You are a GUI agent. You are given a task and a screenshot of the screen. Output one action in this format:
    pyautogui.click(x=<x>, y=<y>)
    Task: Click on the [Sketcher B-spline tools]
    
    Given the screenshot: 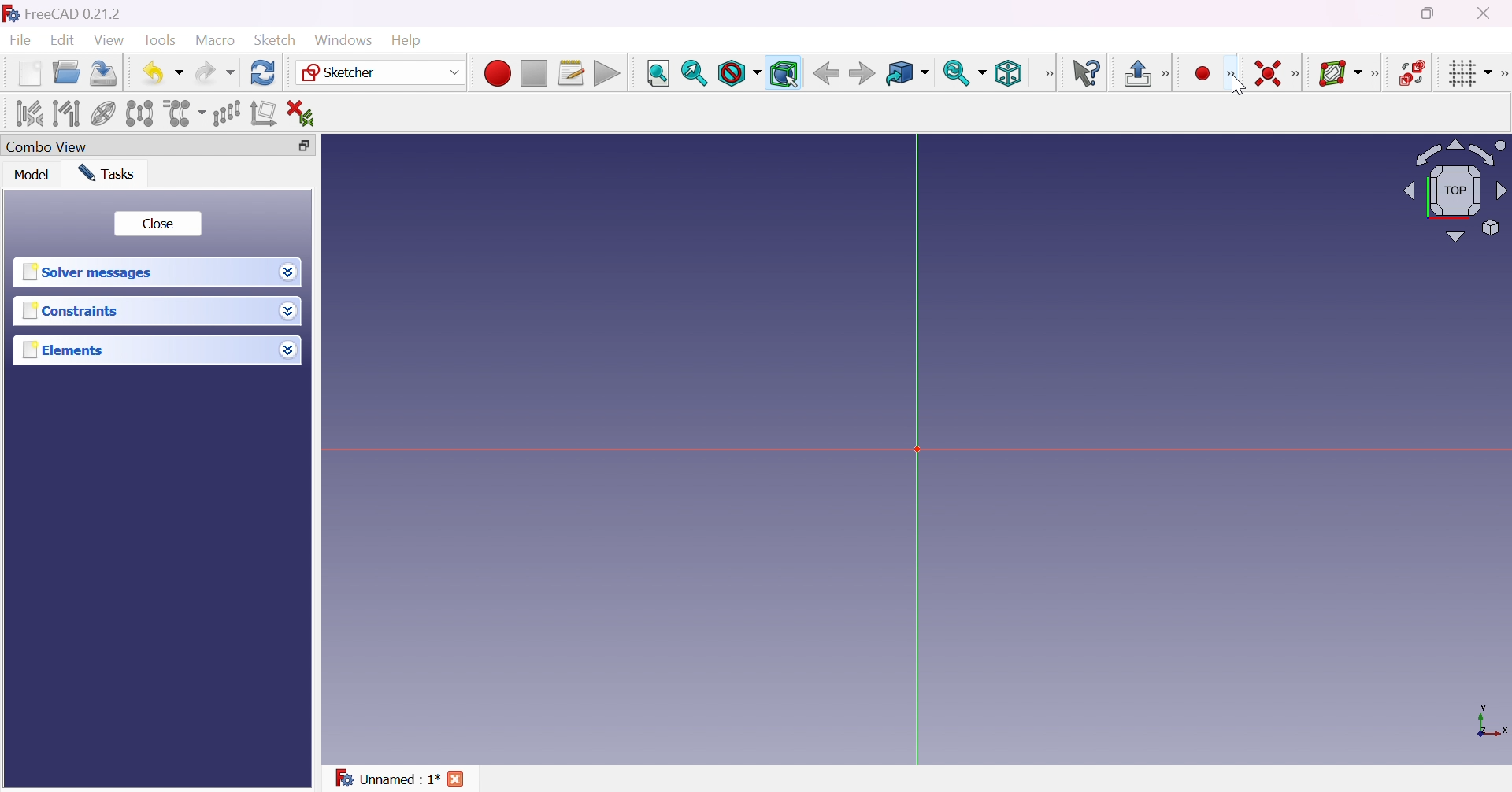 What is the action you would take?
    pyautogui.click(x=1373, y=75)
    